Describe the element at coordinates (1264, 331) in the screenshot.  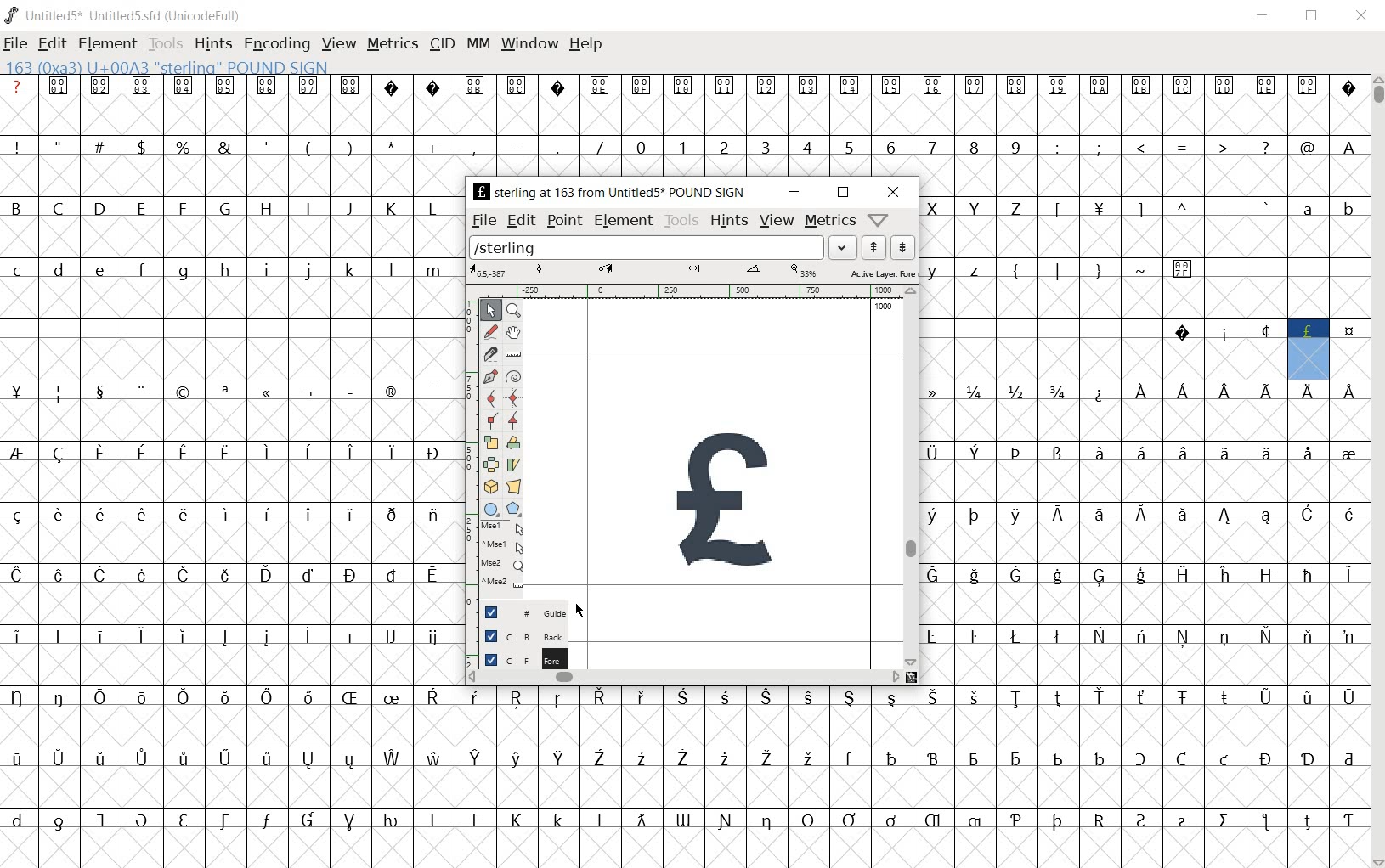
I see `Symbol` at that location.